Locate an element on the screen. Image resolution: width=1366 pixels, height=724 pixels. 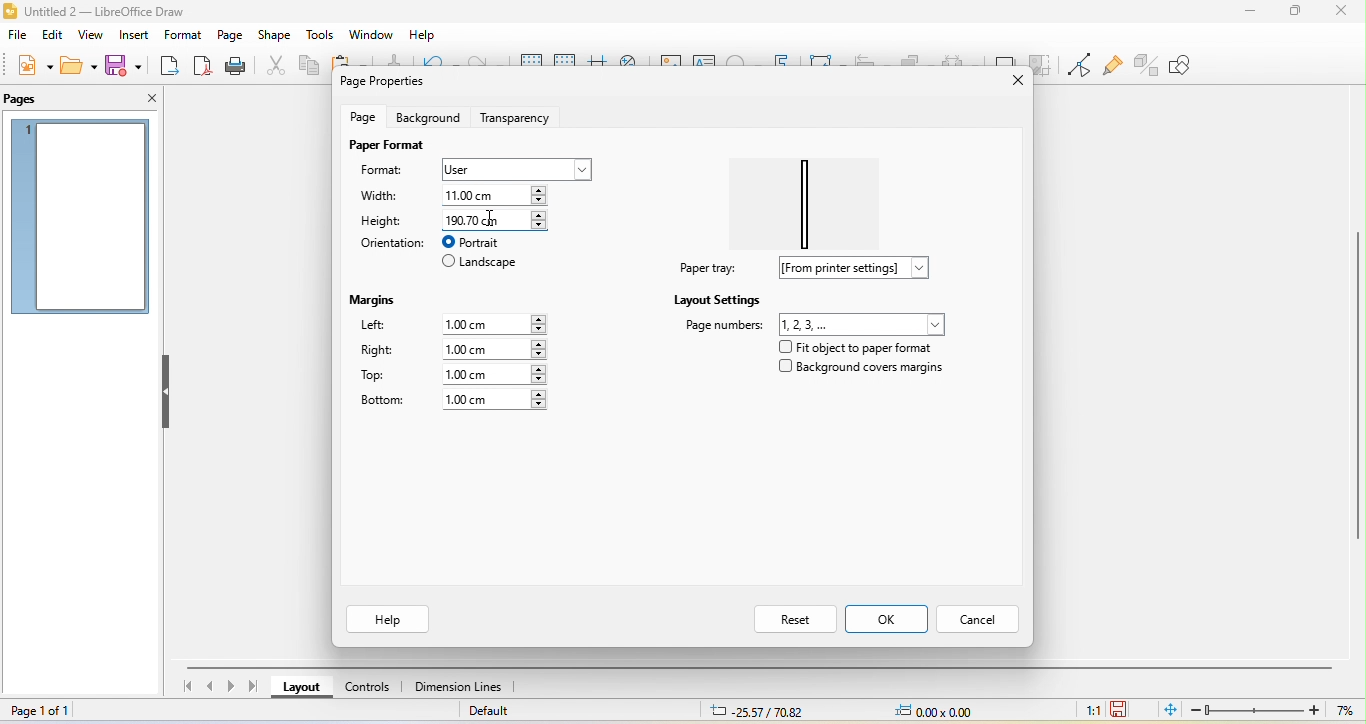
show draw function is located at coordinates (1195, 65).